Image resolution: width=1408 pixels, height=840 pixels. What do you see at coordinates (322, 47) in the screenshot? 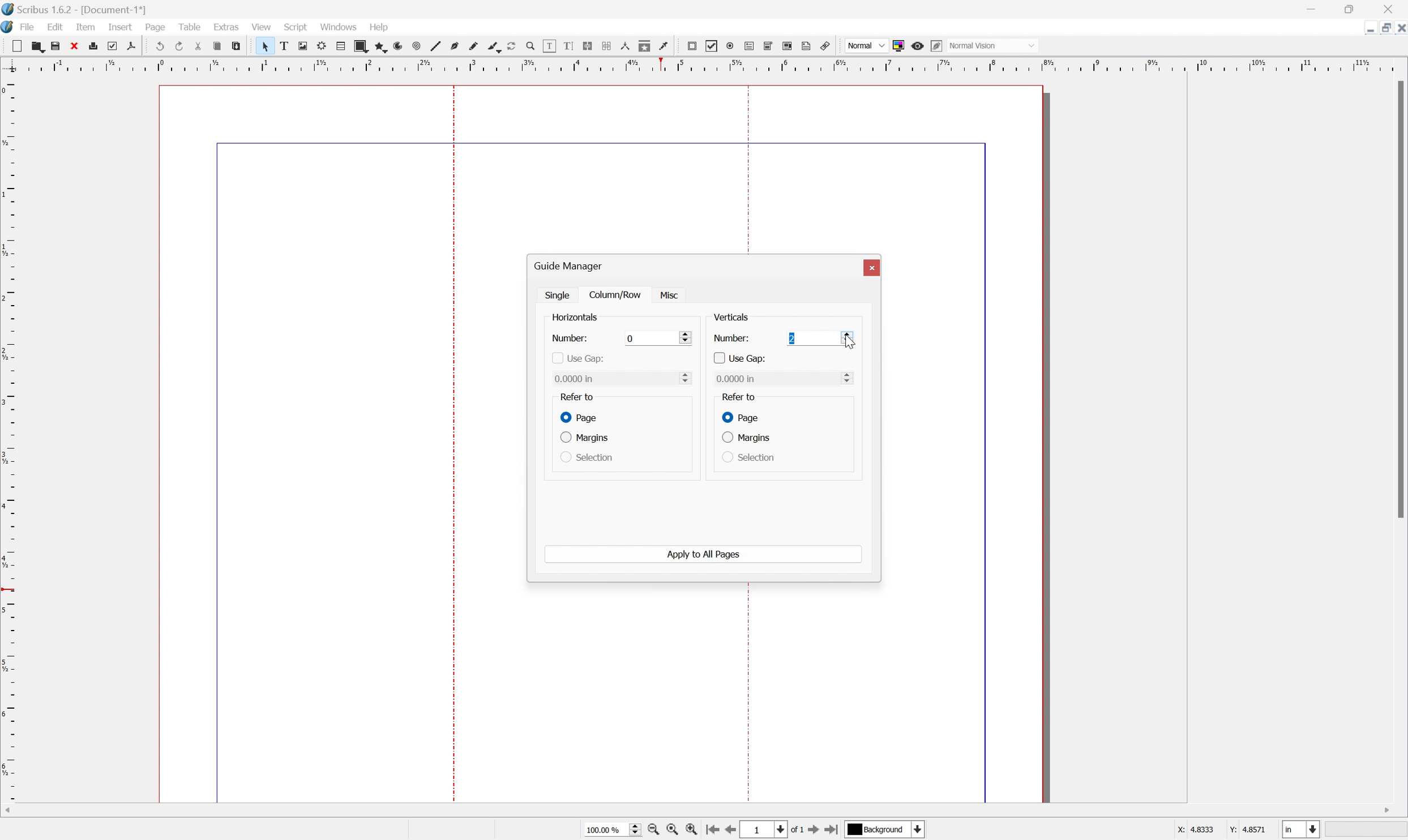
I see `render frame` at bounding box center [322, 47].